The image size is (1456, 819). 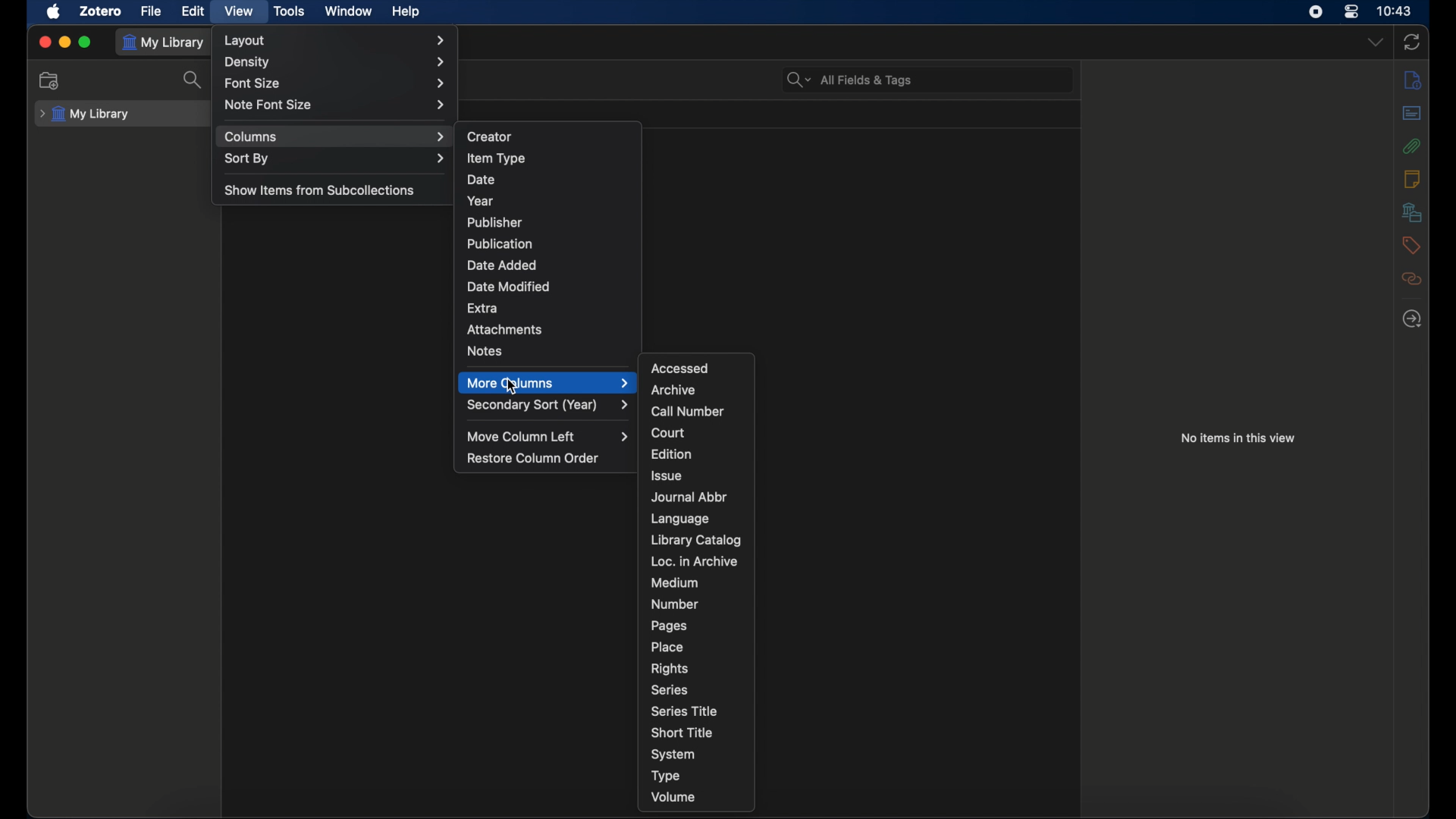 What do you see at coordinates (550, 405) in the screenshot?
I see `secondary sort` at bounding box center [550, 405].